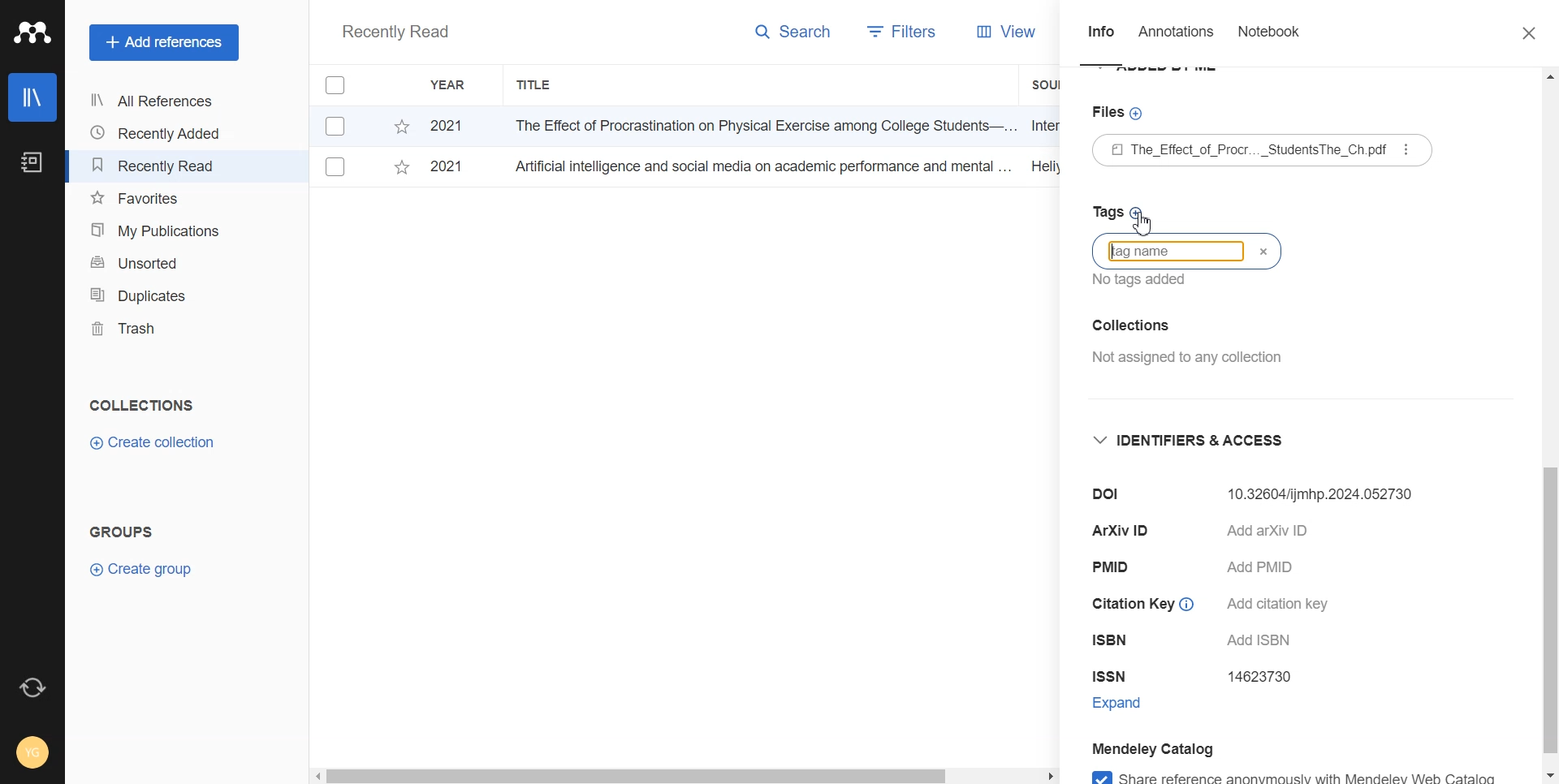 This screenshot has height=784, width=1559. I want to click on Search, so click(794, 35).